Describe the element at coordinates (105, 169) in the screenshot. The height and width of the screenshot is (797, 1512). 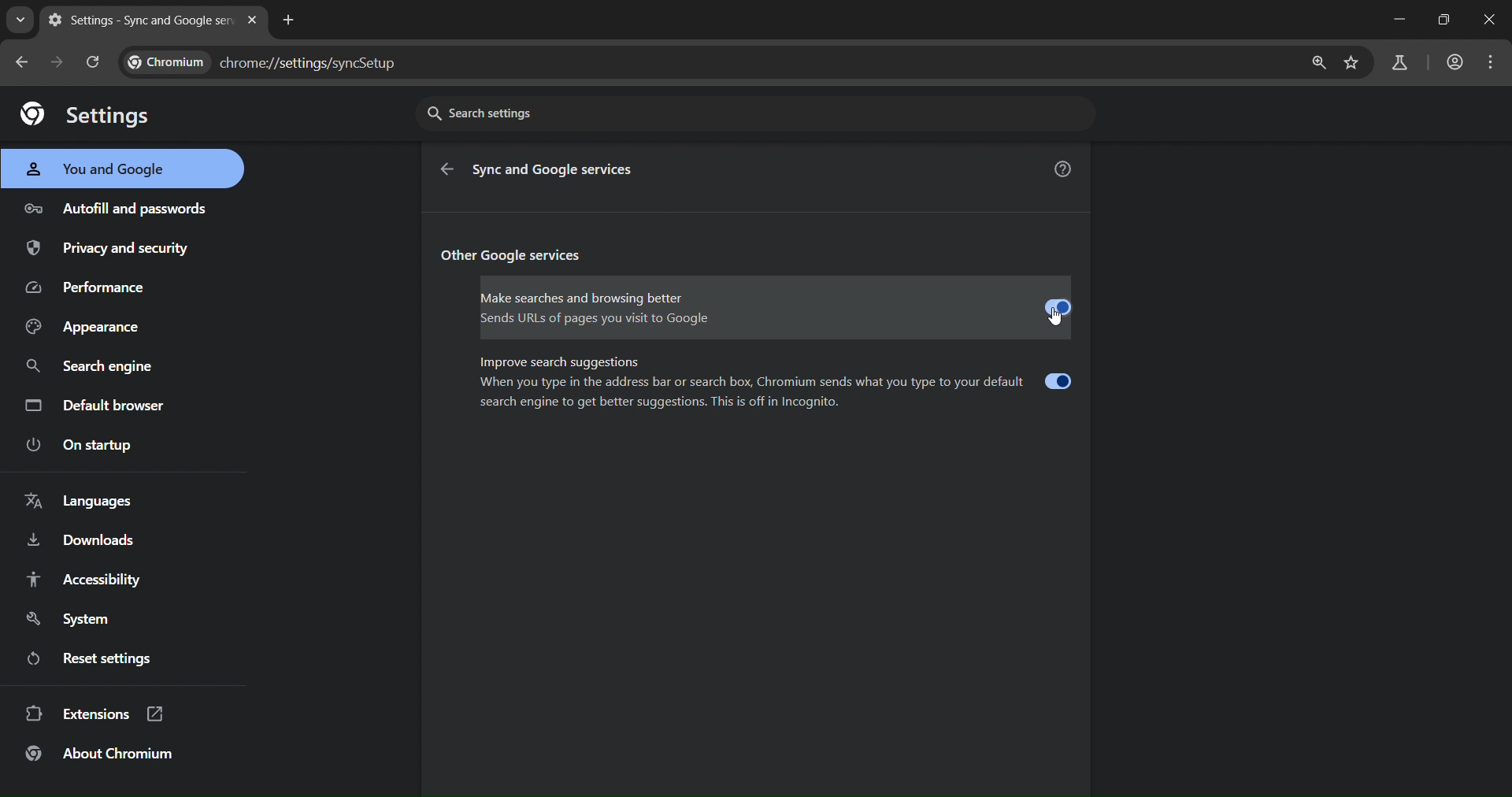
I see `you and google` at that location.